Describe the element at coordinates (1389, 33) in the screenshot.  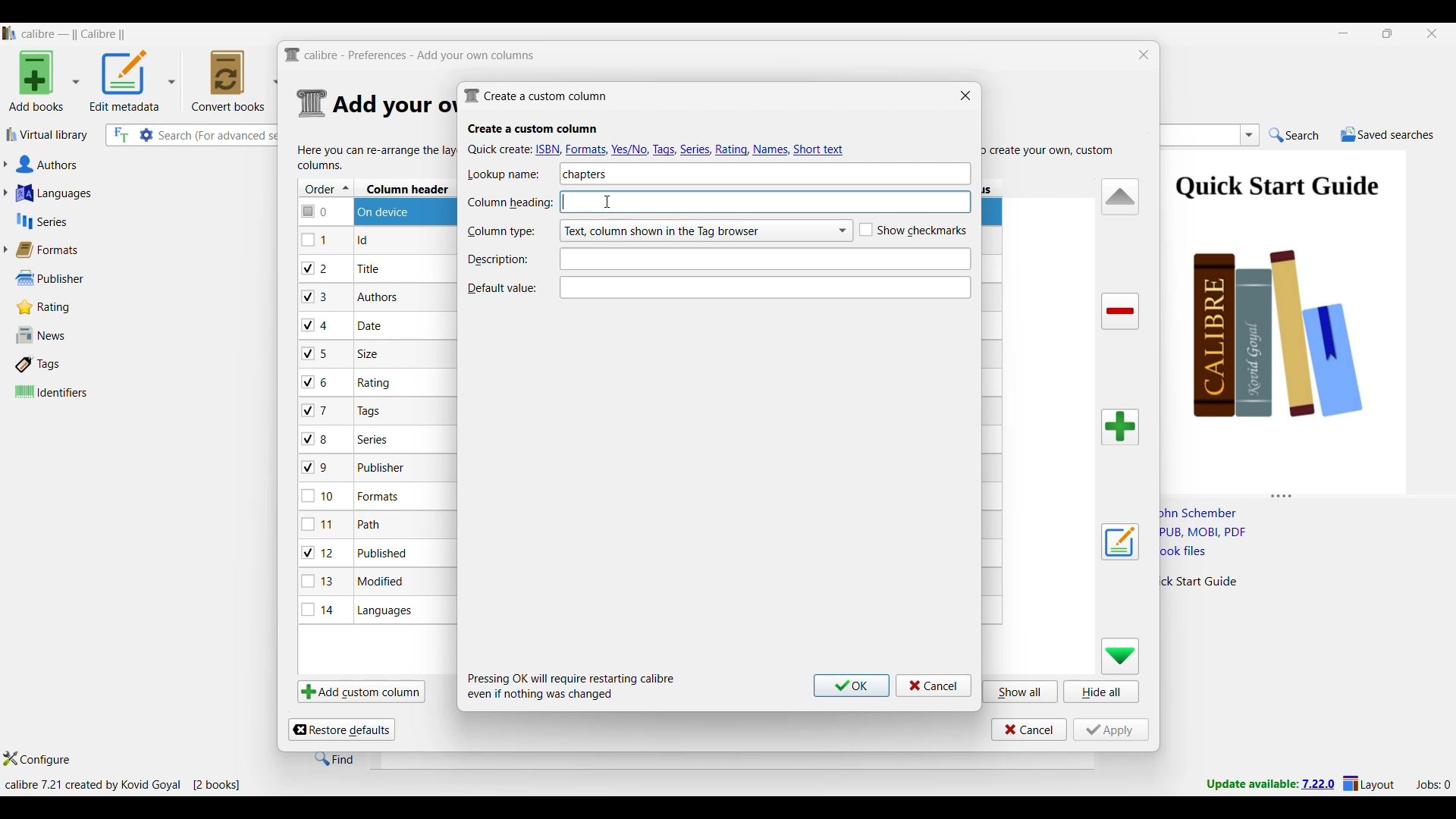
I see `Show interface in a smaller tab` at that location.